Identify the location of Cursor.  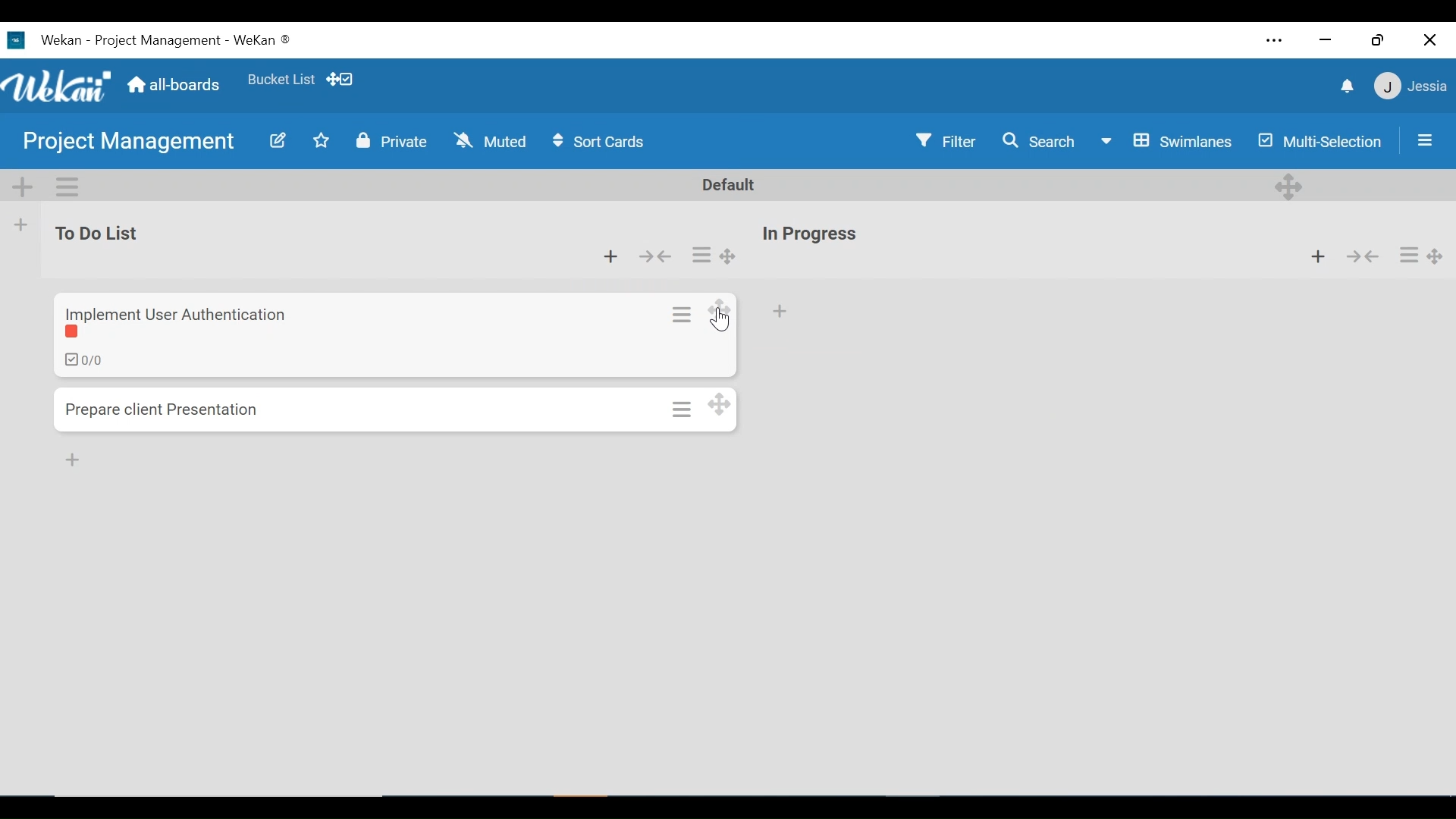
(720, 323).